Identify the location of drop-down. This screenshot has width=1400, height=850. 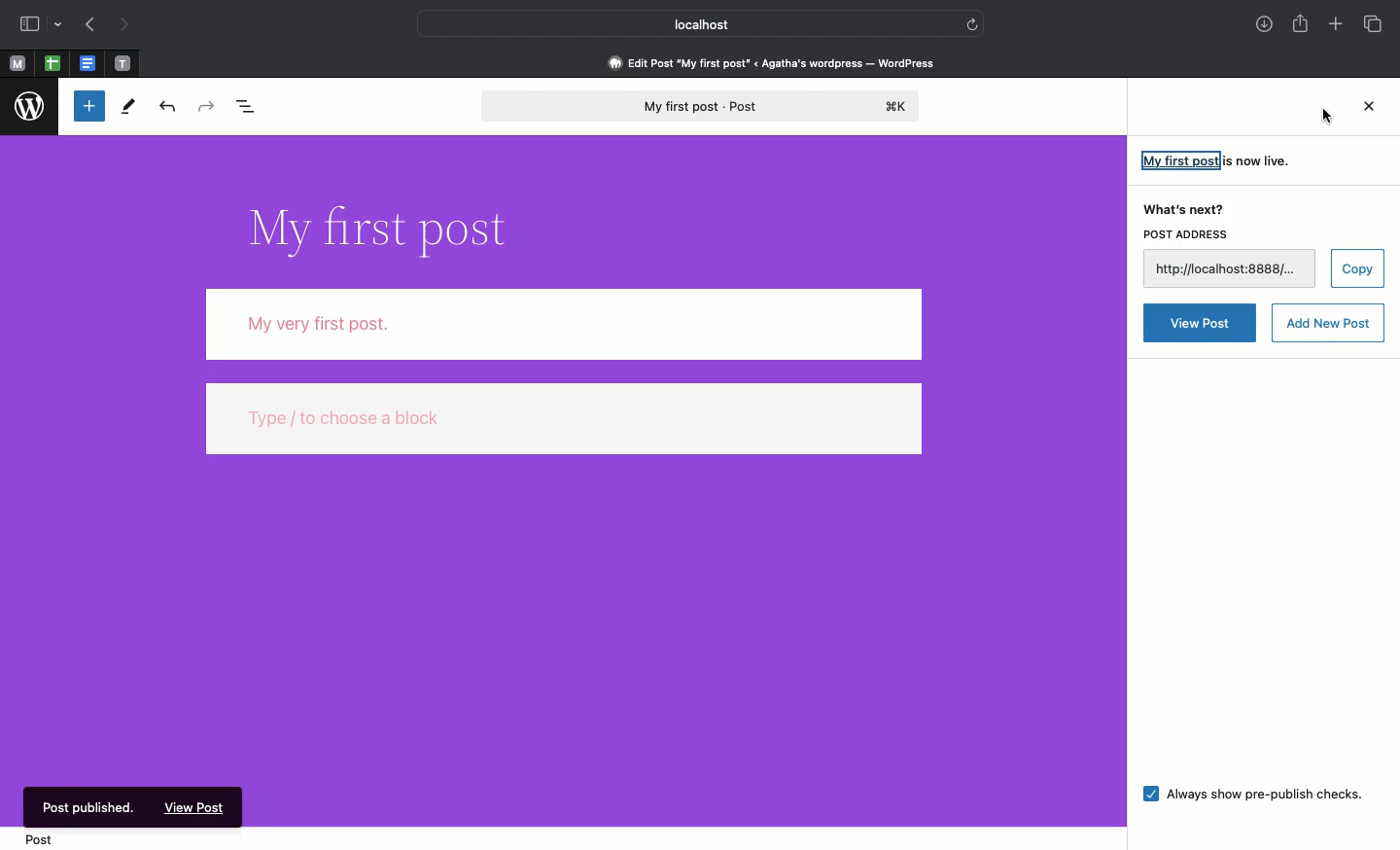
(60, 22).